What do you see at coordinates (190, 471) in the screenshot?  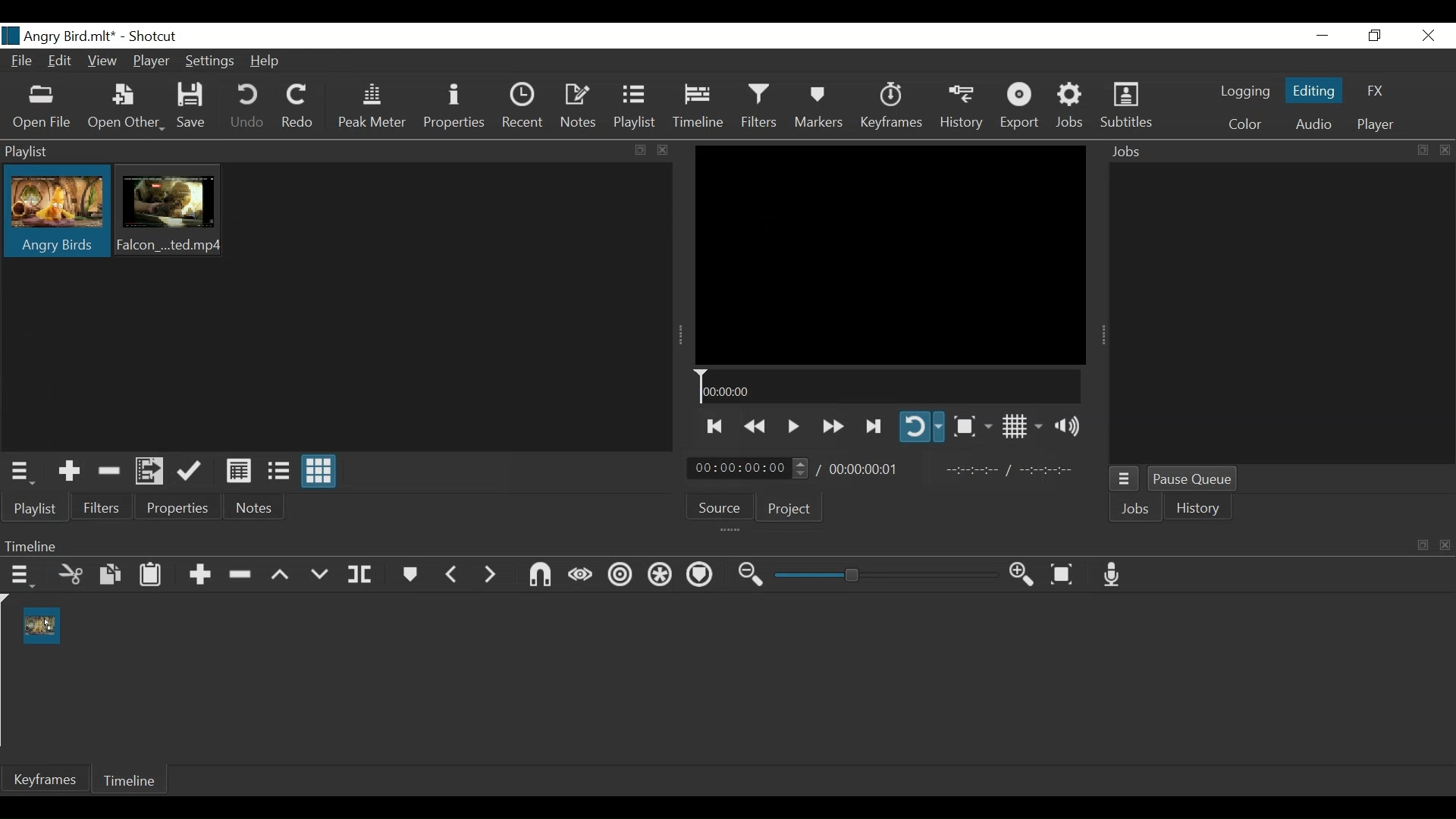 I see `Update` at bounding box center [190, 471].